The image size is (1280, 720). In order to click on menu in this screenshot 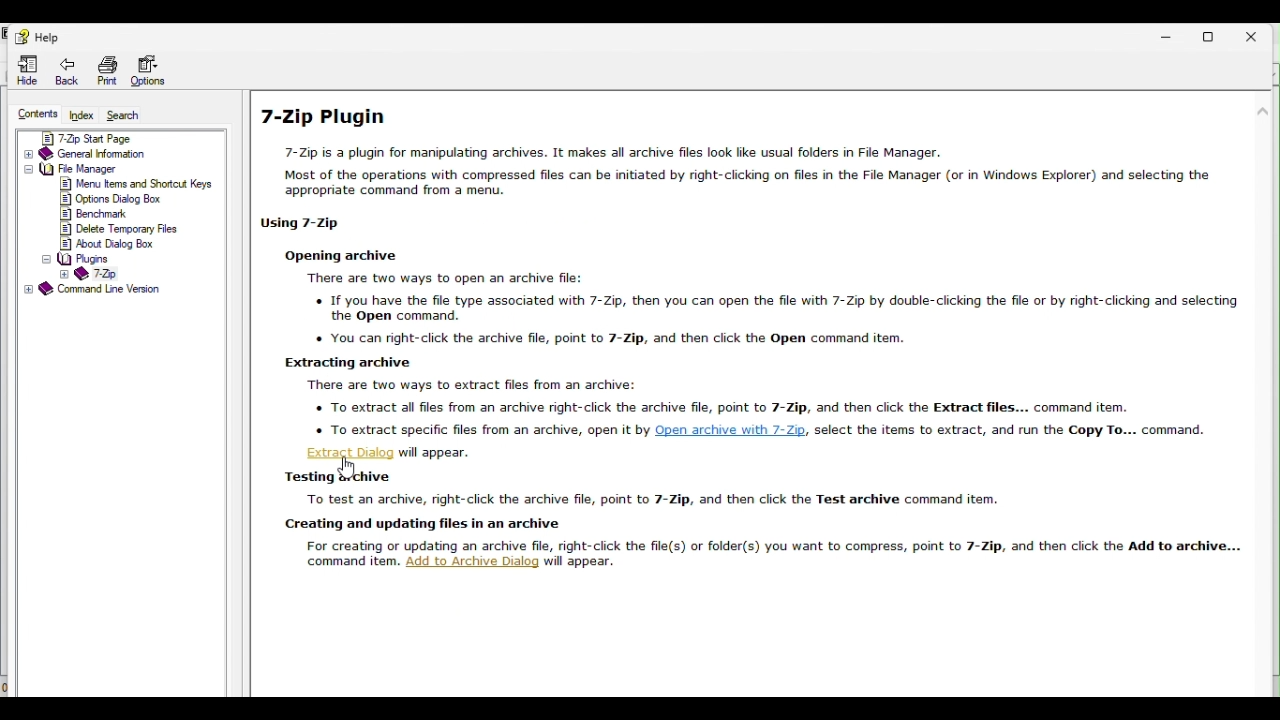, I will do `click(138, 184)`.